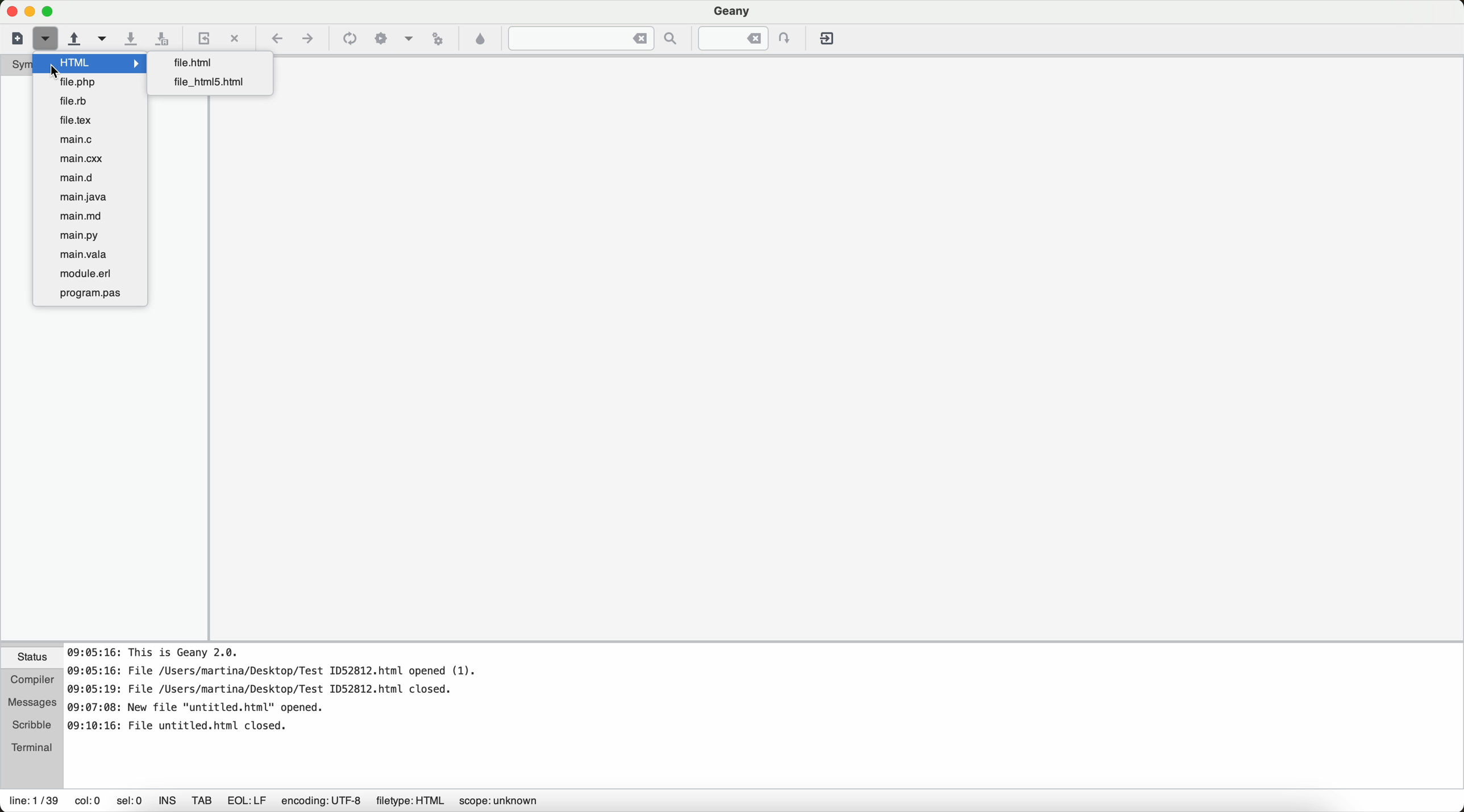  I want to click on Geany, so click(733, 11).